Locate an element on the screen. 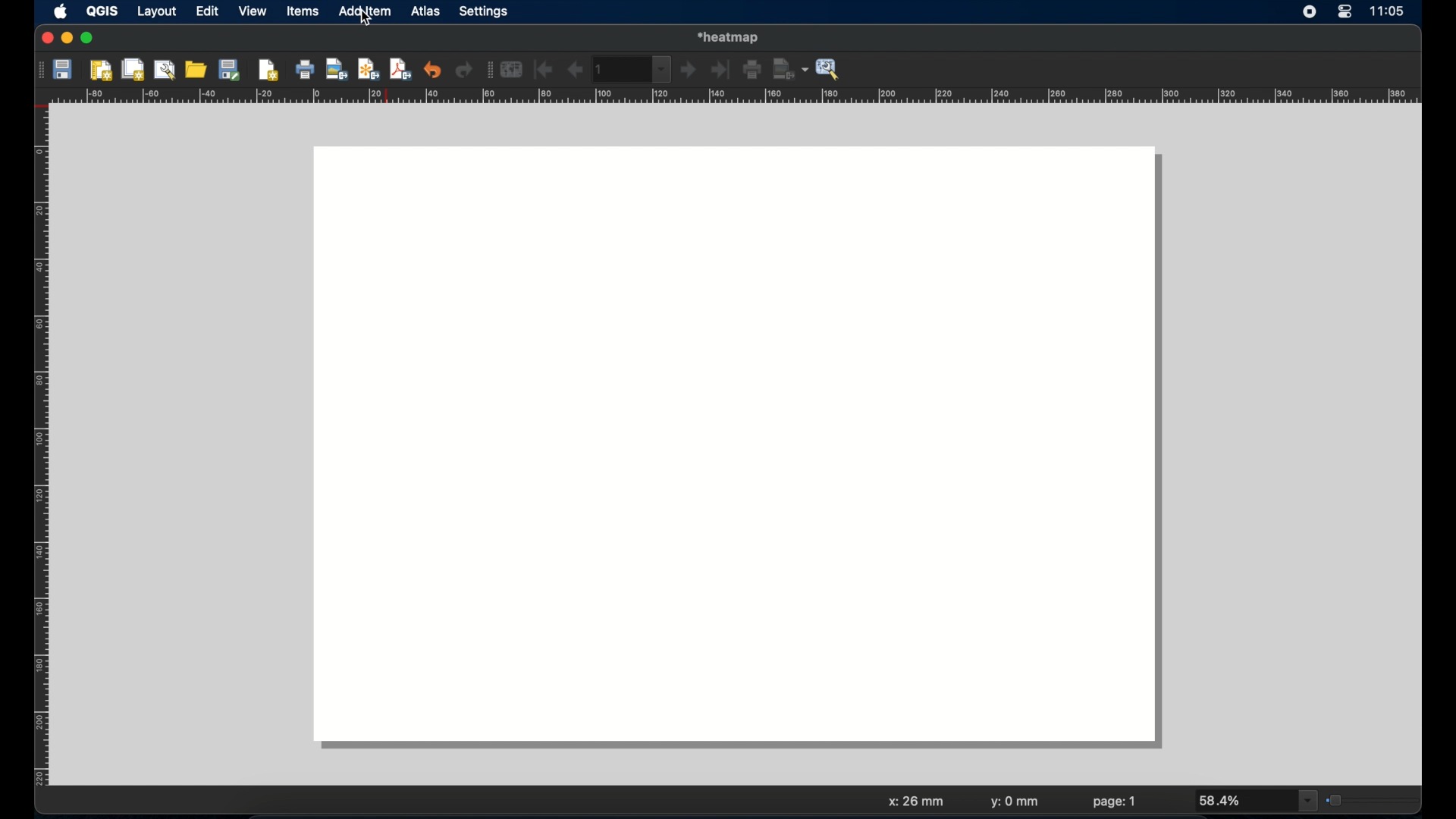  add items from template is located at coordinates (197, 69).